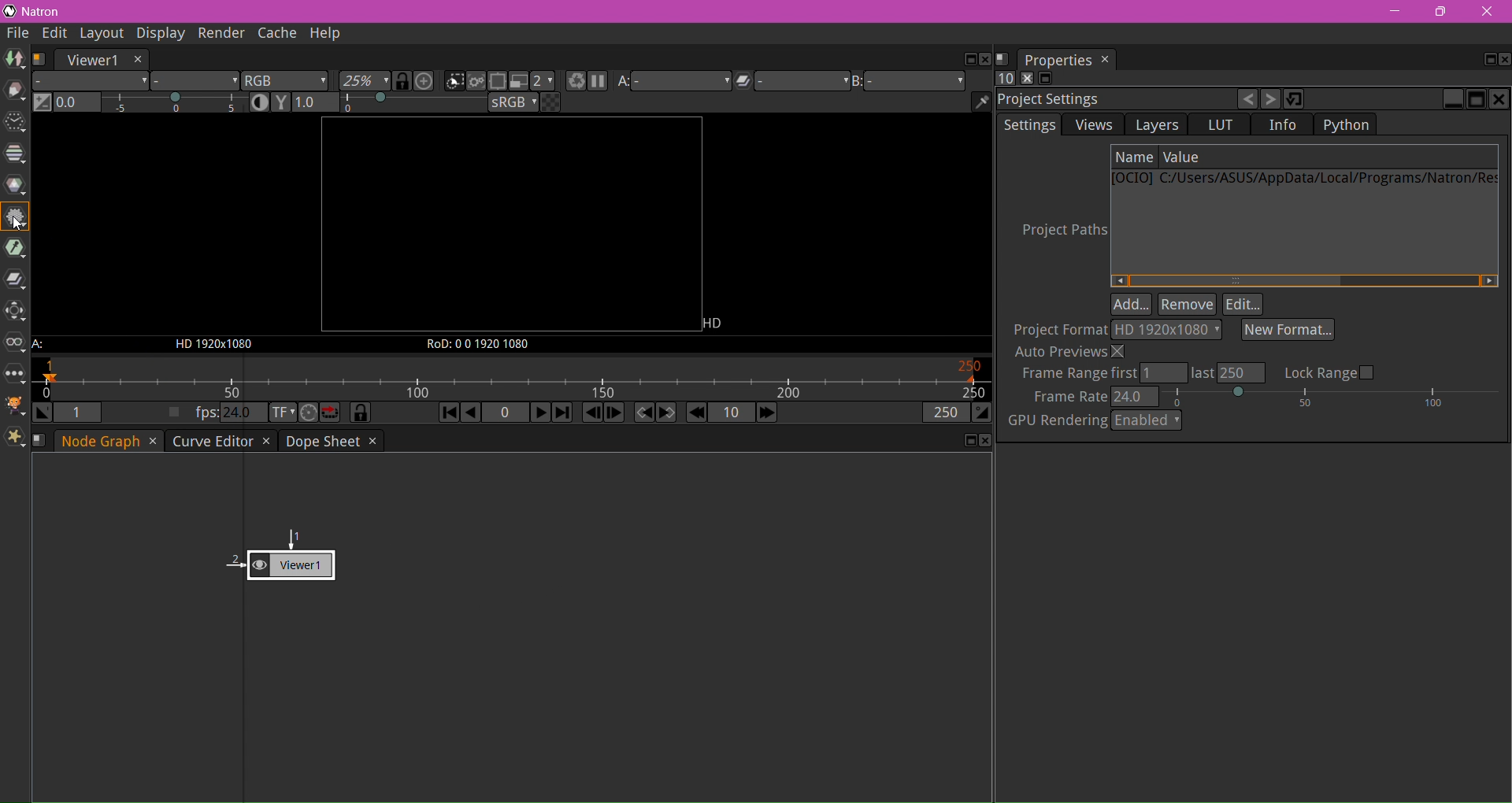 This screenshot has height=803, width=1512. I want to click on Color, so click(16, 185).